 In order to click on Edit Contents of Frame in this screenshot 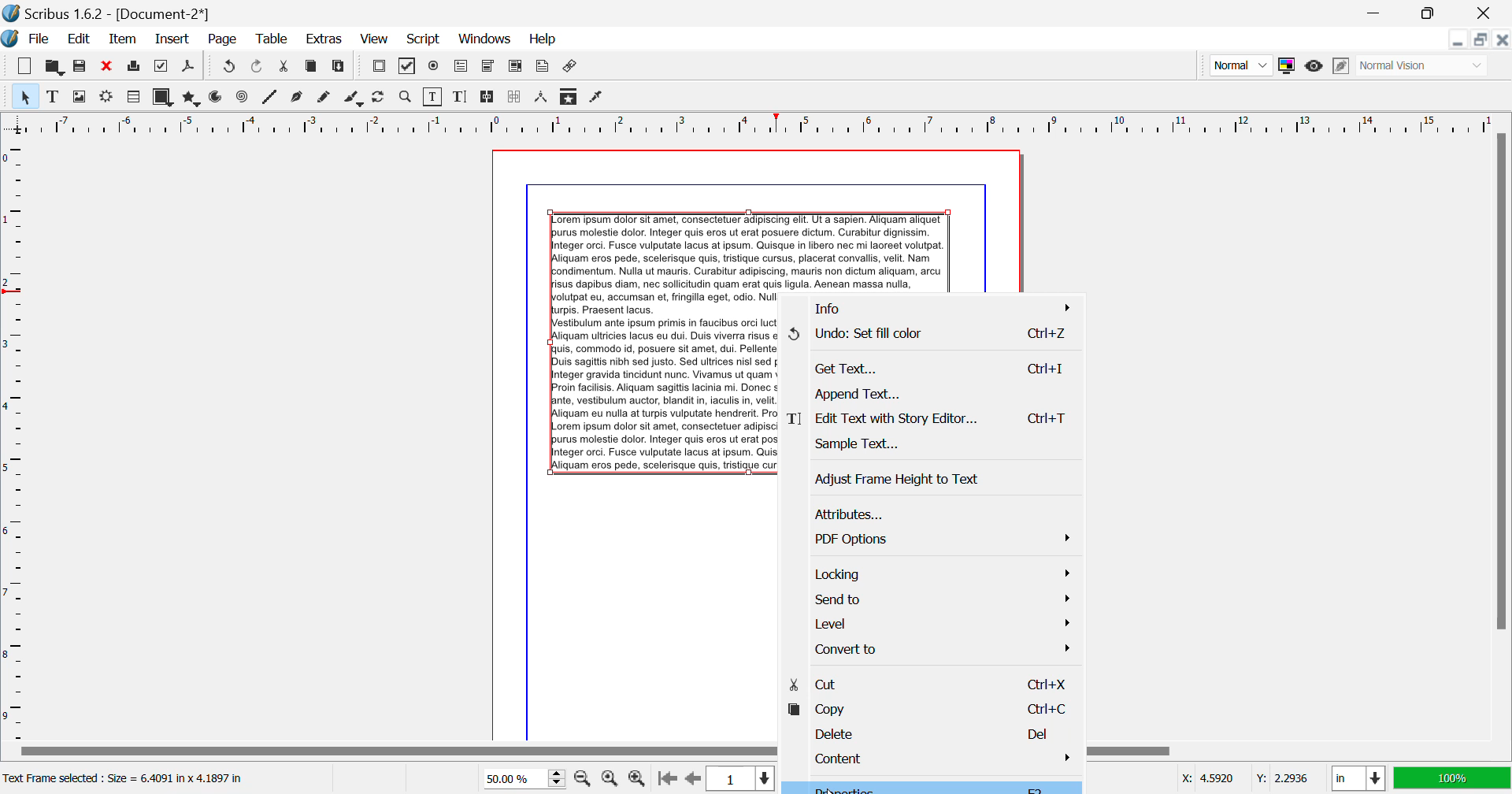, I will do `click(434, 97)`.